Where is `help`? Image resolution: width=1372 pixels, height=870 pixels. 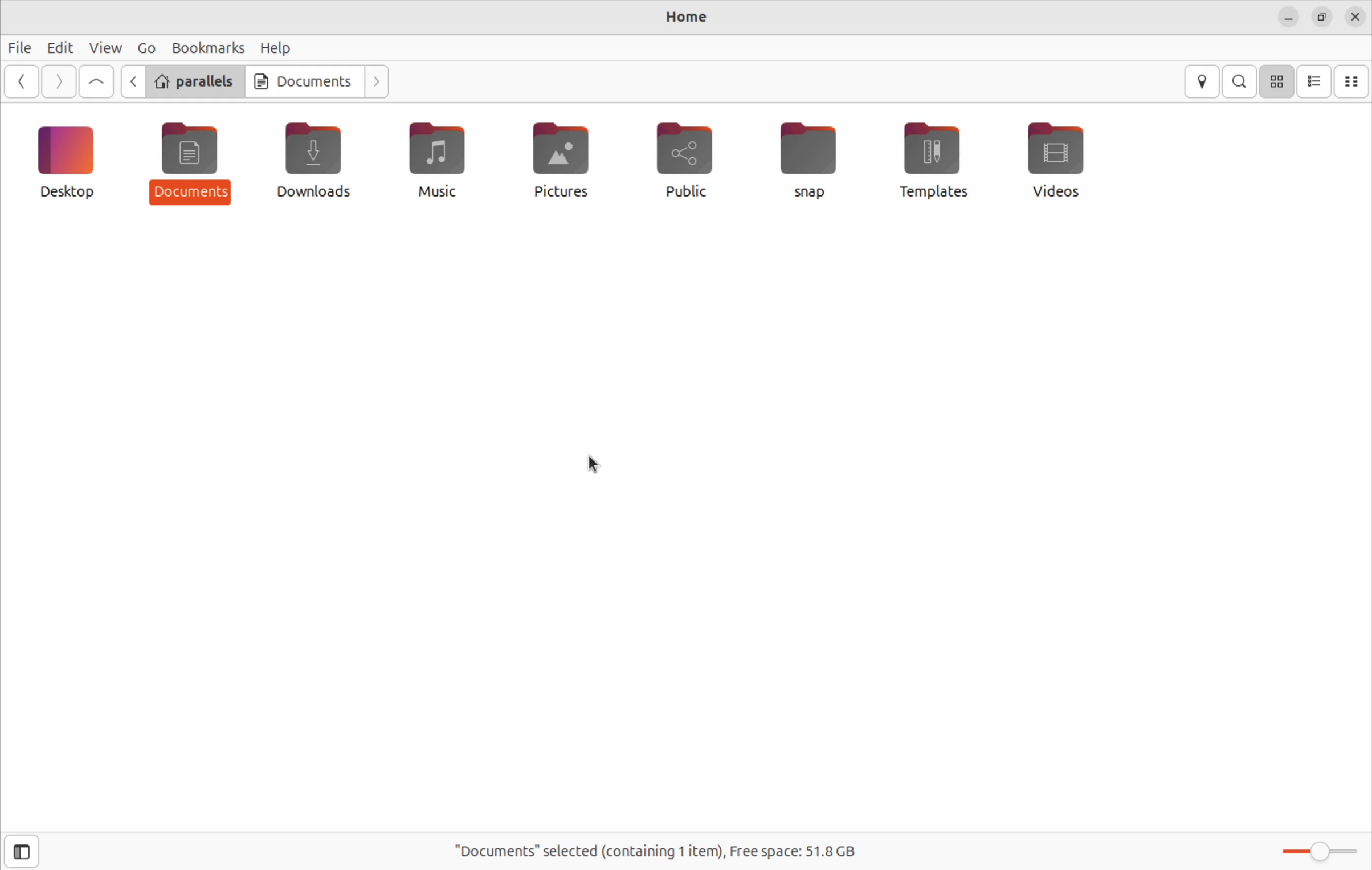
help is located at coordinates (281, 48).